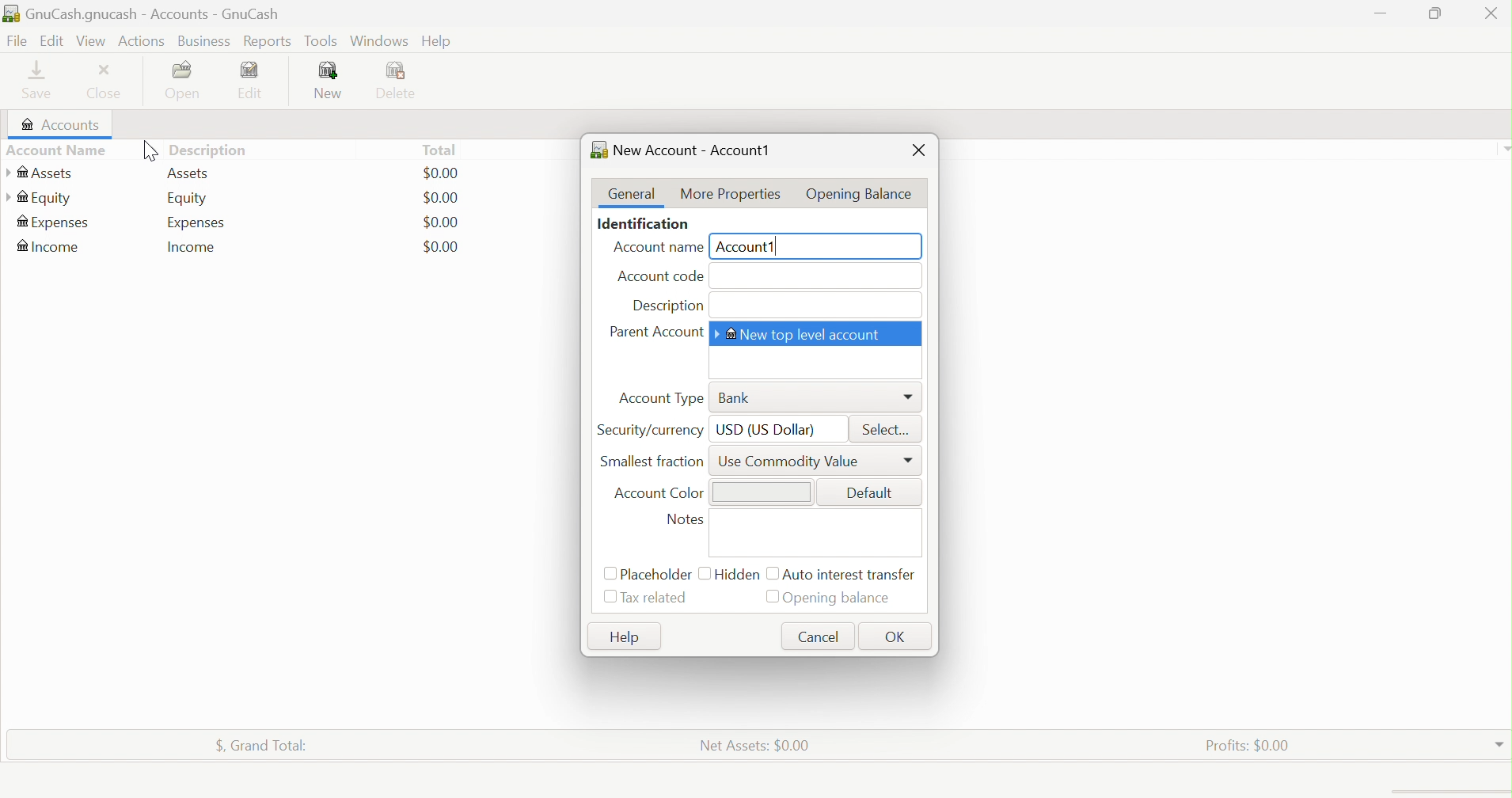  I want to click on Security/currency, so click(652, 429).